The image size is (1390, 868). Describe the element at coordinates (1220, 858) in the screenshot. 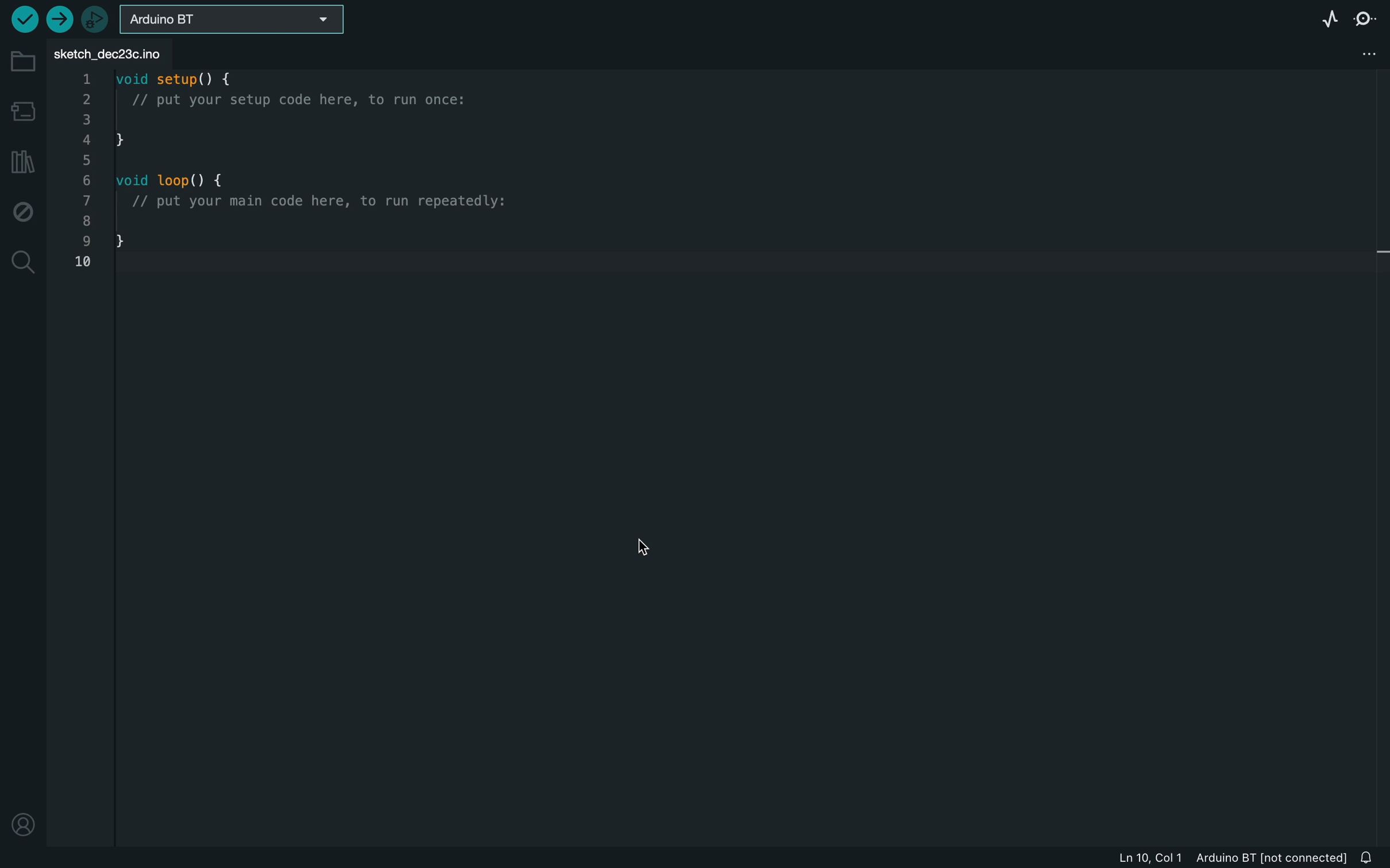

I see `file imformation` at that location.